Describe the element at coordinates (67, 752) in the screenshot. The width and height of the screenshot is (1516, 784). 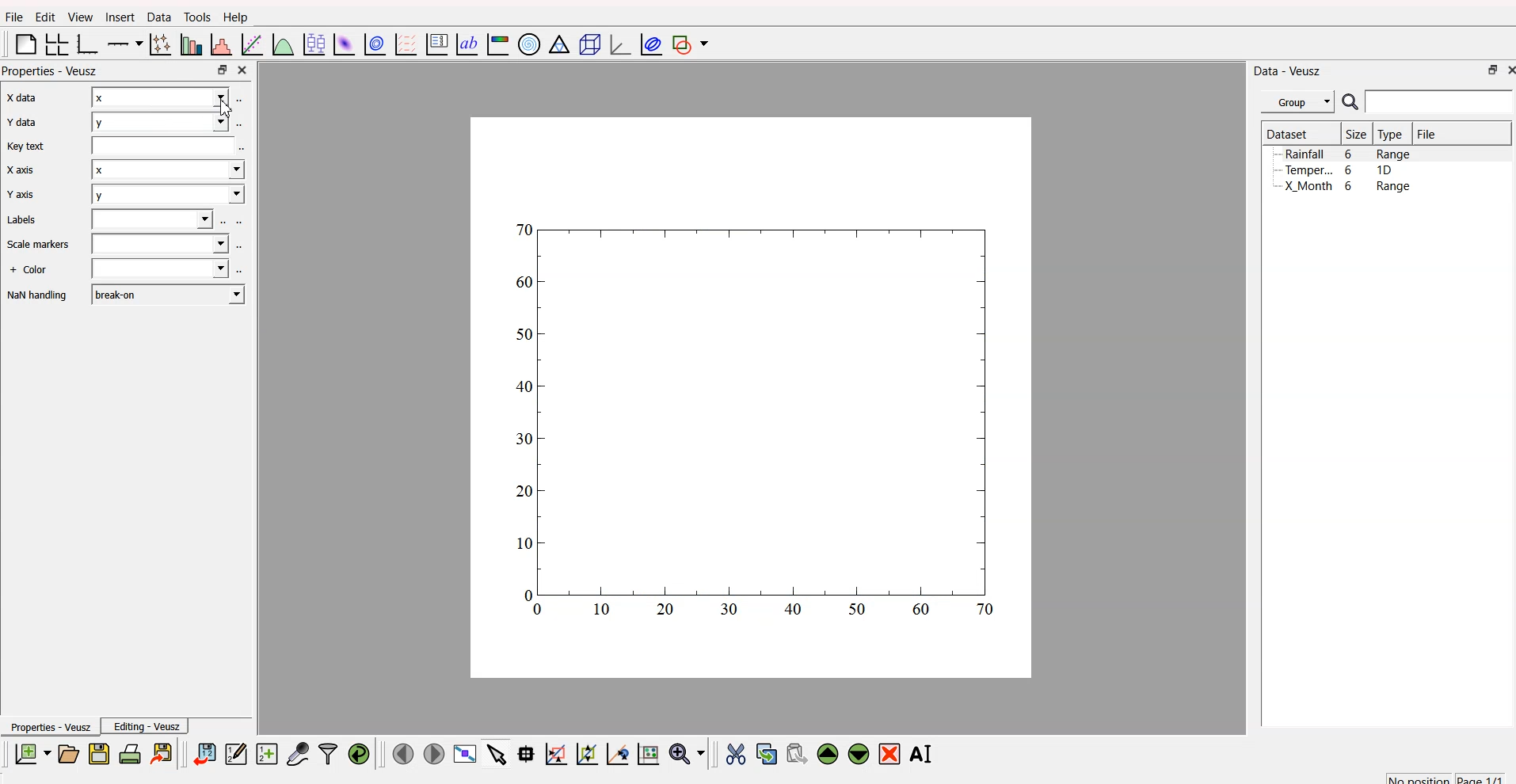
I see `open a document` at that location.